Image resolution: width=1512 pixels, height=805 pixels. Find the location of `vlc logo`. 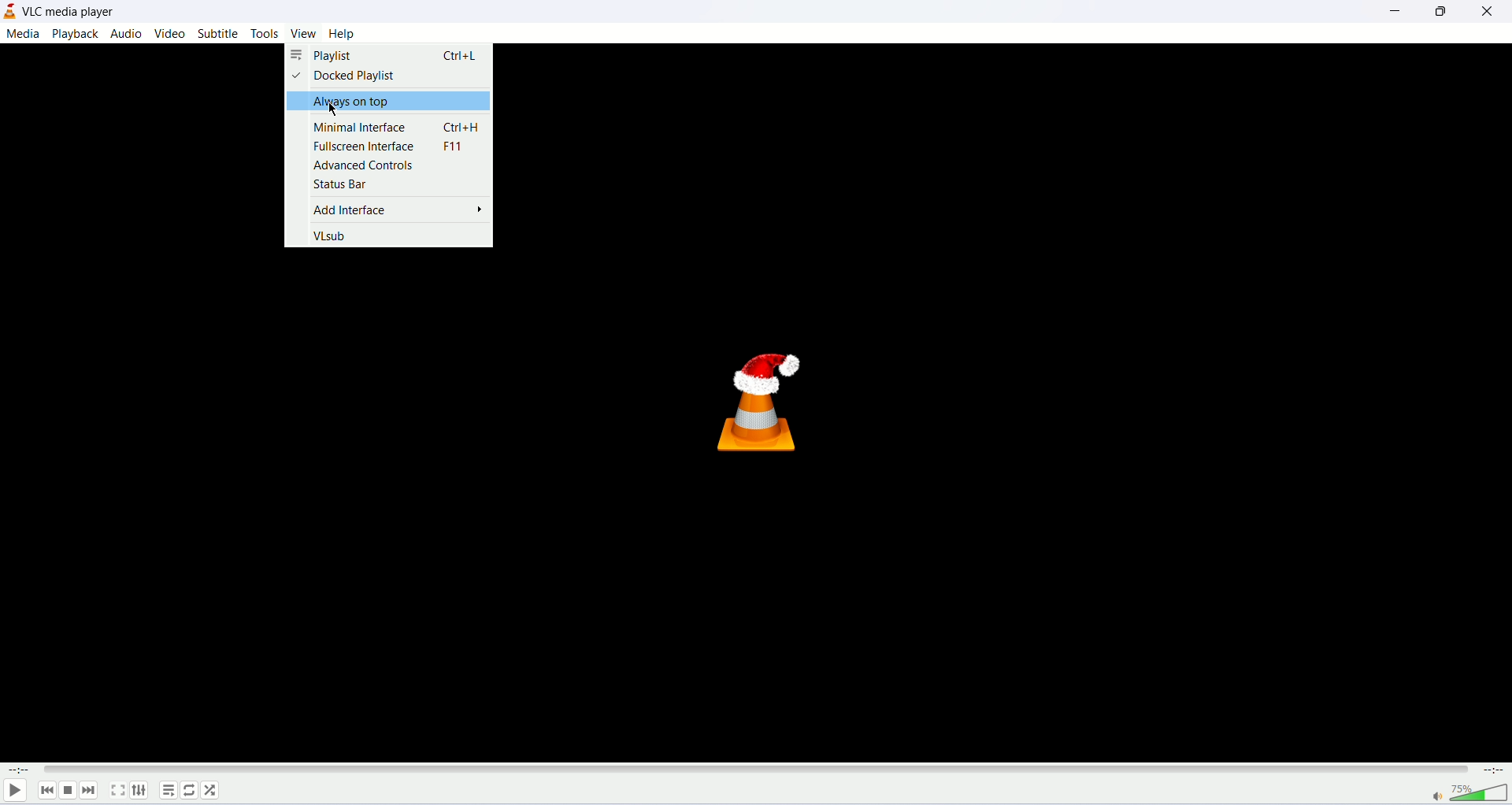

vlc logo is located at coordinates (762, 401).